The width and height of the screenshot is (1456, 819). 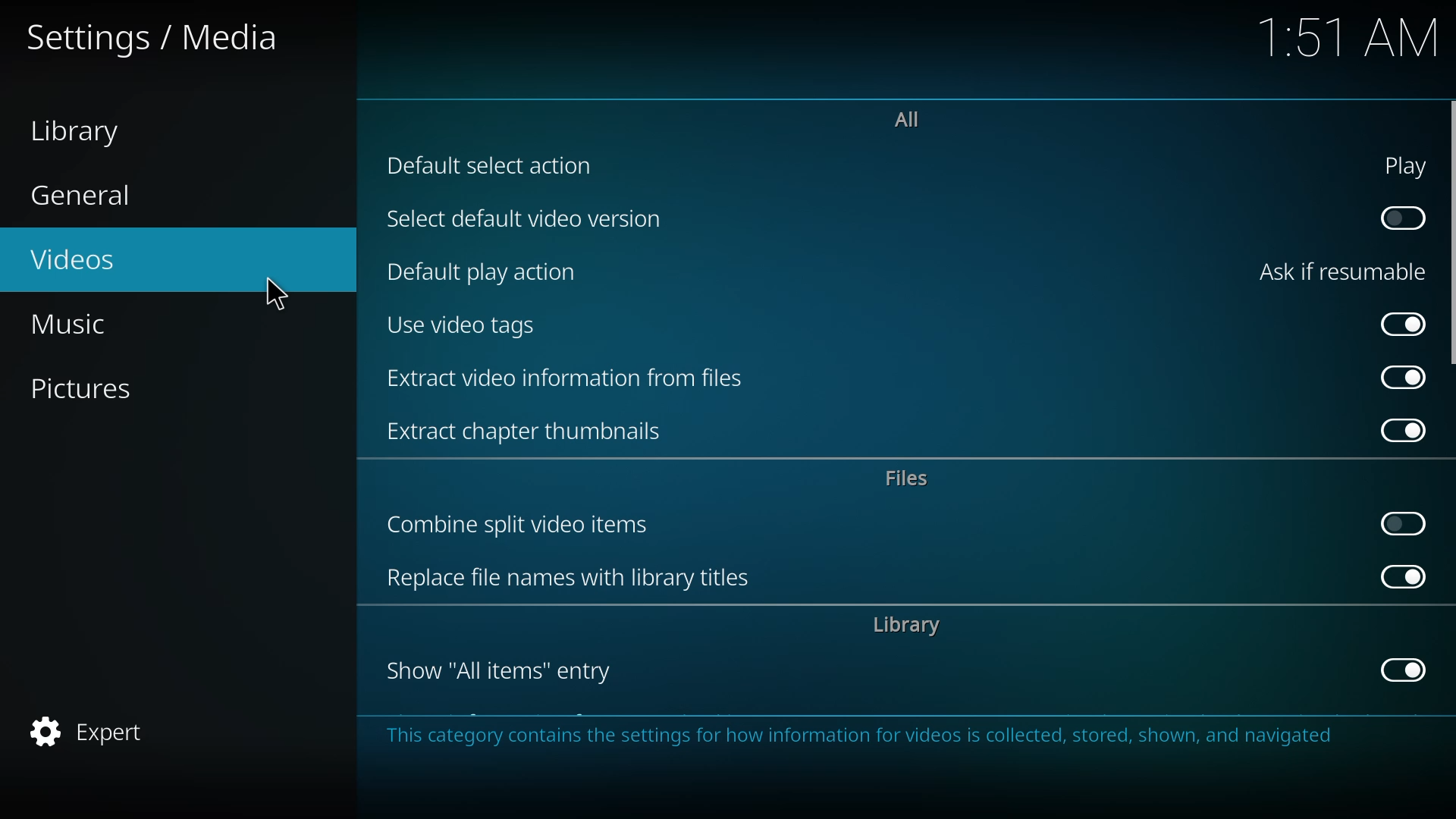 What do you see at coordinates (525, 219) in the screenshot?
I see `select default video version` at bounding box center [525, 219].